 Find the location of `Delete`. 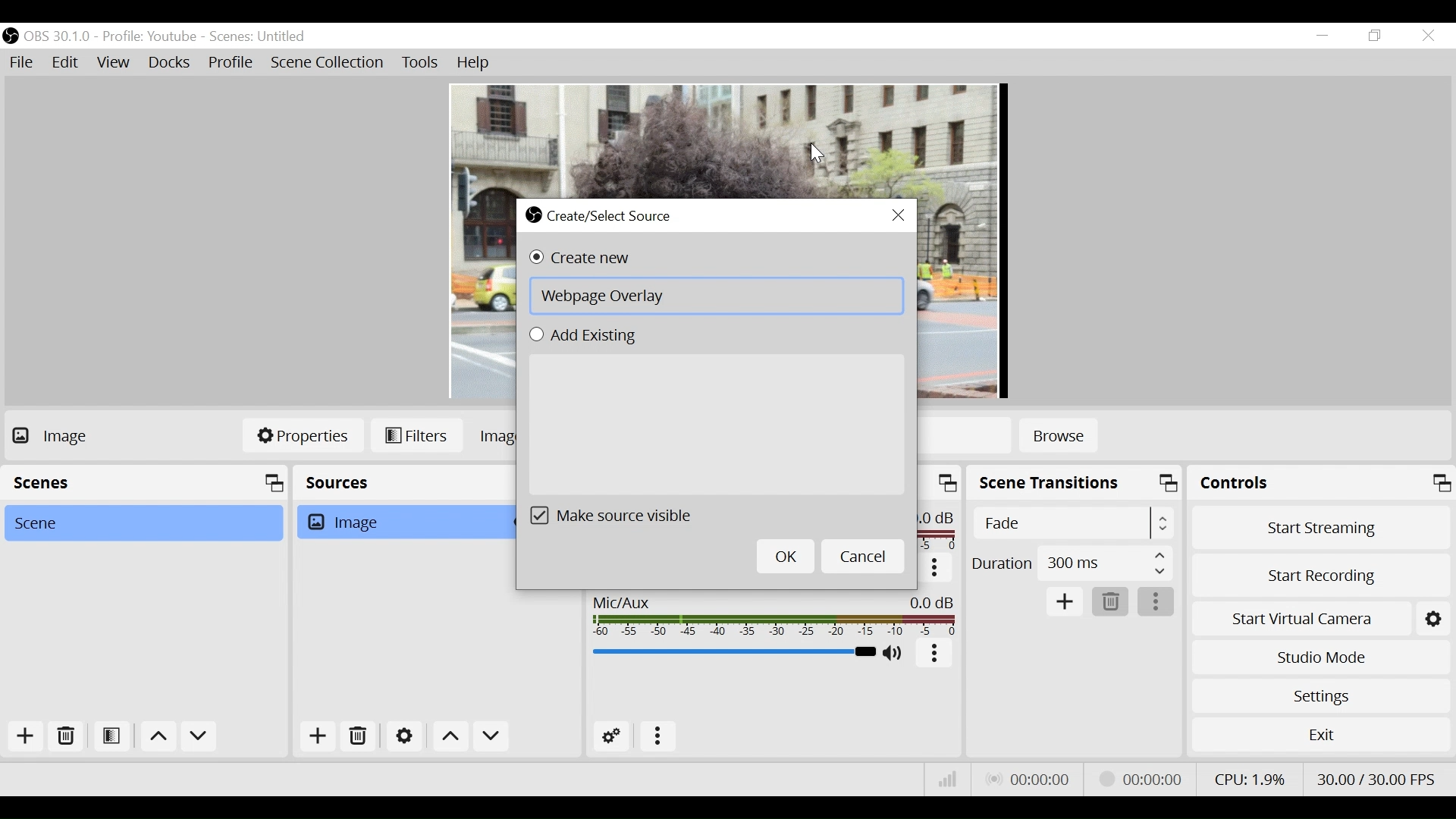

Delete is located at coordinates (68, 738).